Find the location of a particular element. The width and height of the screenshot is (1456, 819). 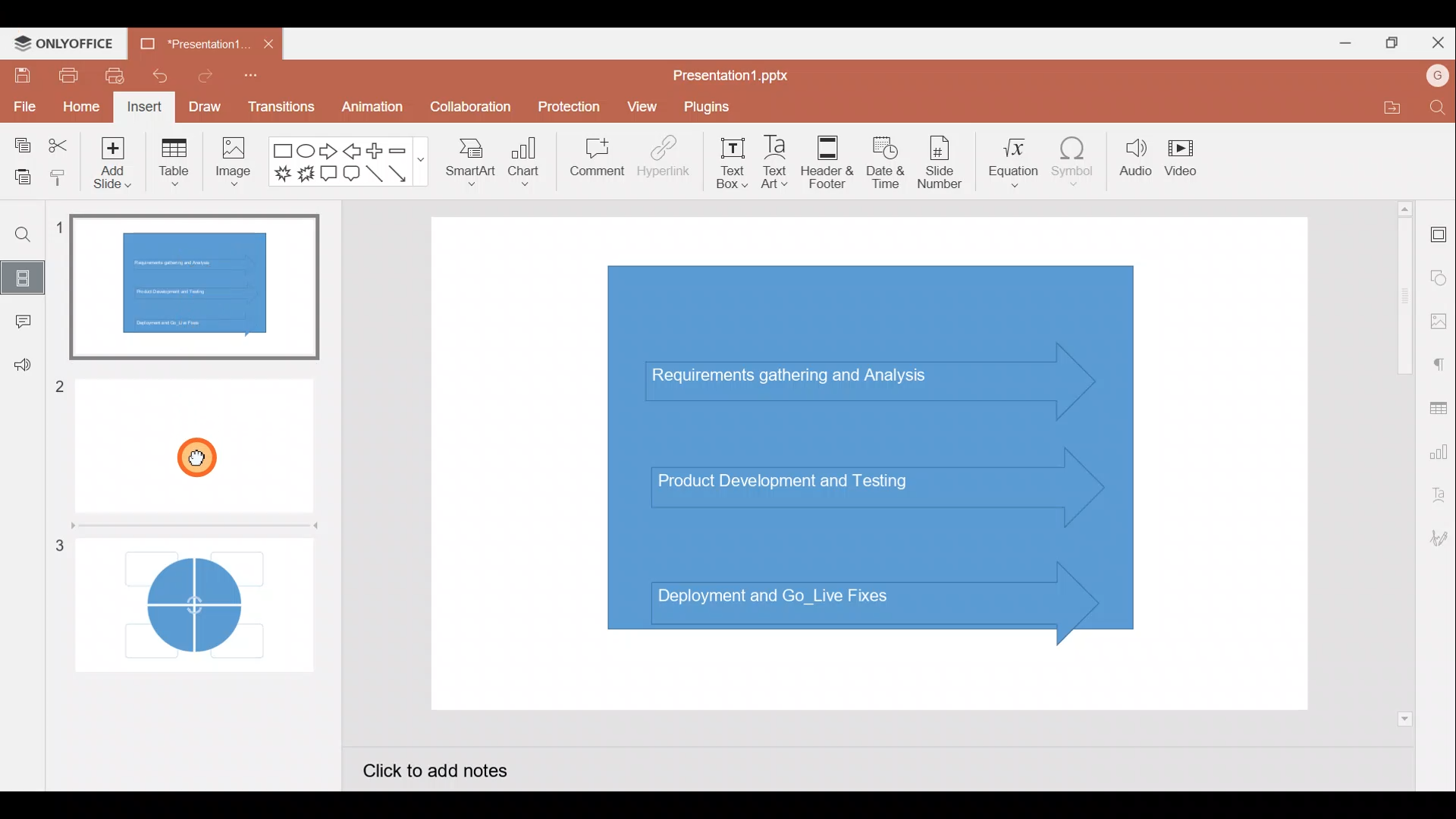

Find is located at coordinates (1435, 108).